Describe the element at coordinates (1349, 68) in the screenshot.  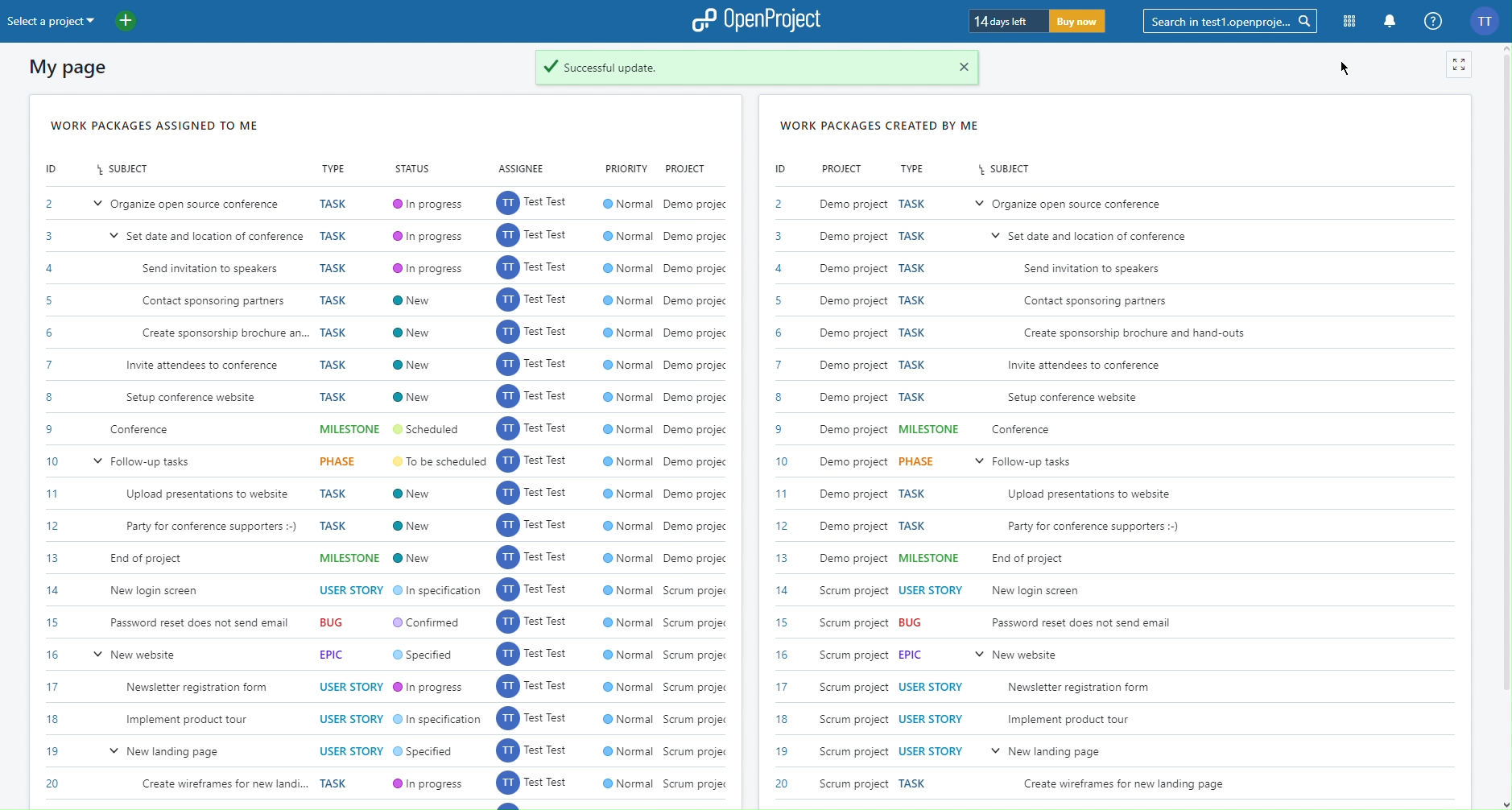
I see `Cursor` at that location.